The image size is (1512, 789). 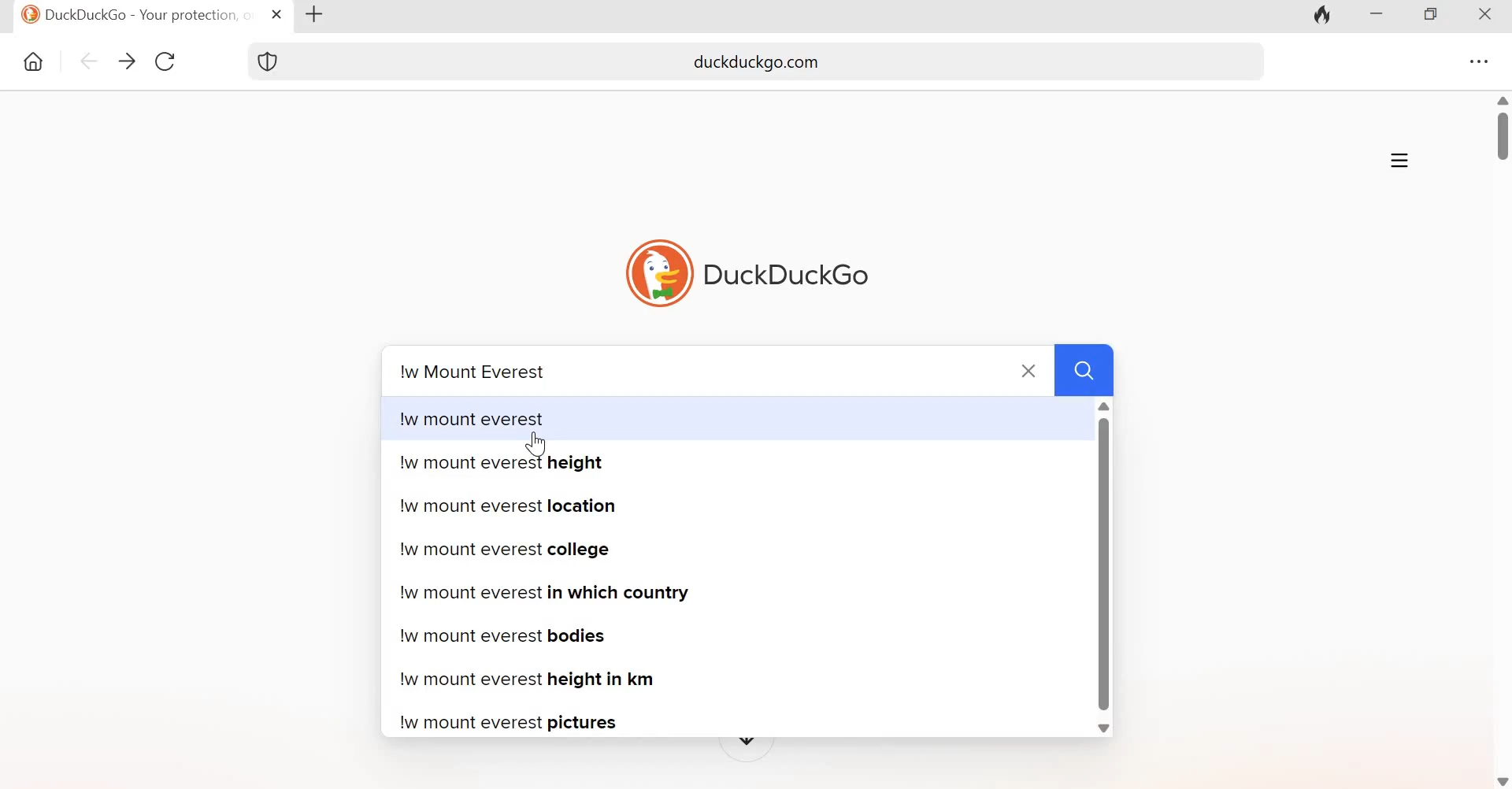 I want to click on !w mount everest, so click(x=484, y=418).